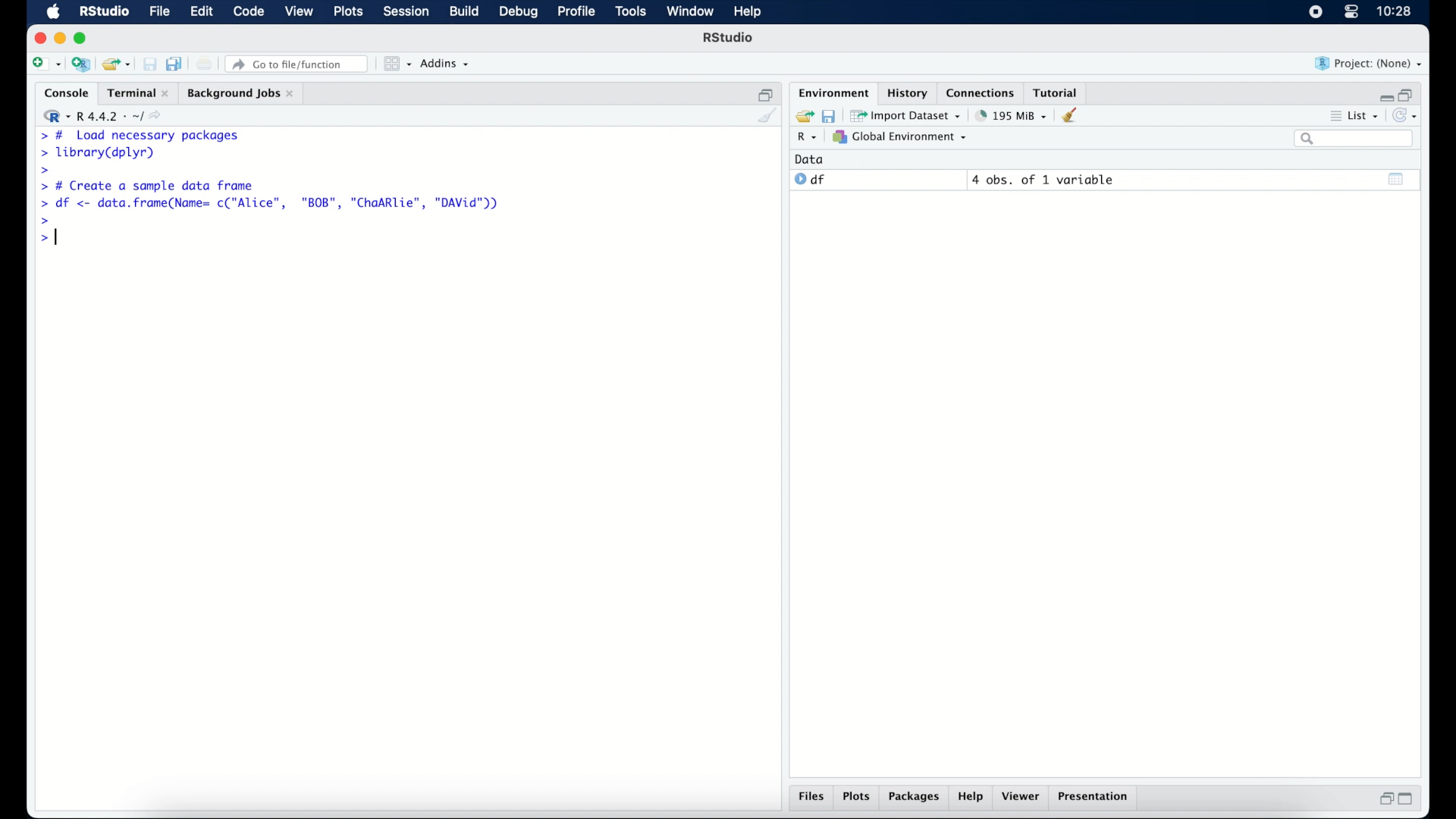 Image resolution: width=1456 pixels, height=819 pixels. What do you see at coordinates (858, 798) in the screenshot?
I see `plots` at bounding box center [858, 798].